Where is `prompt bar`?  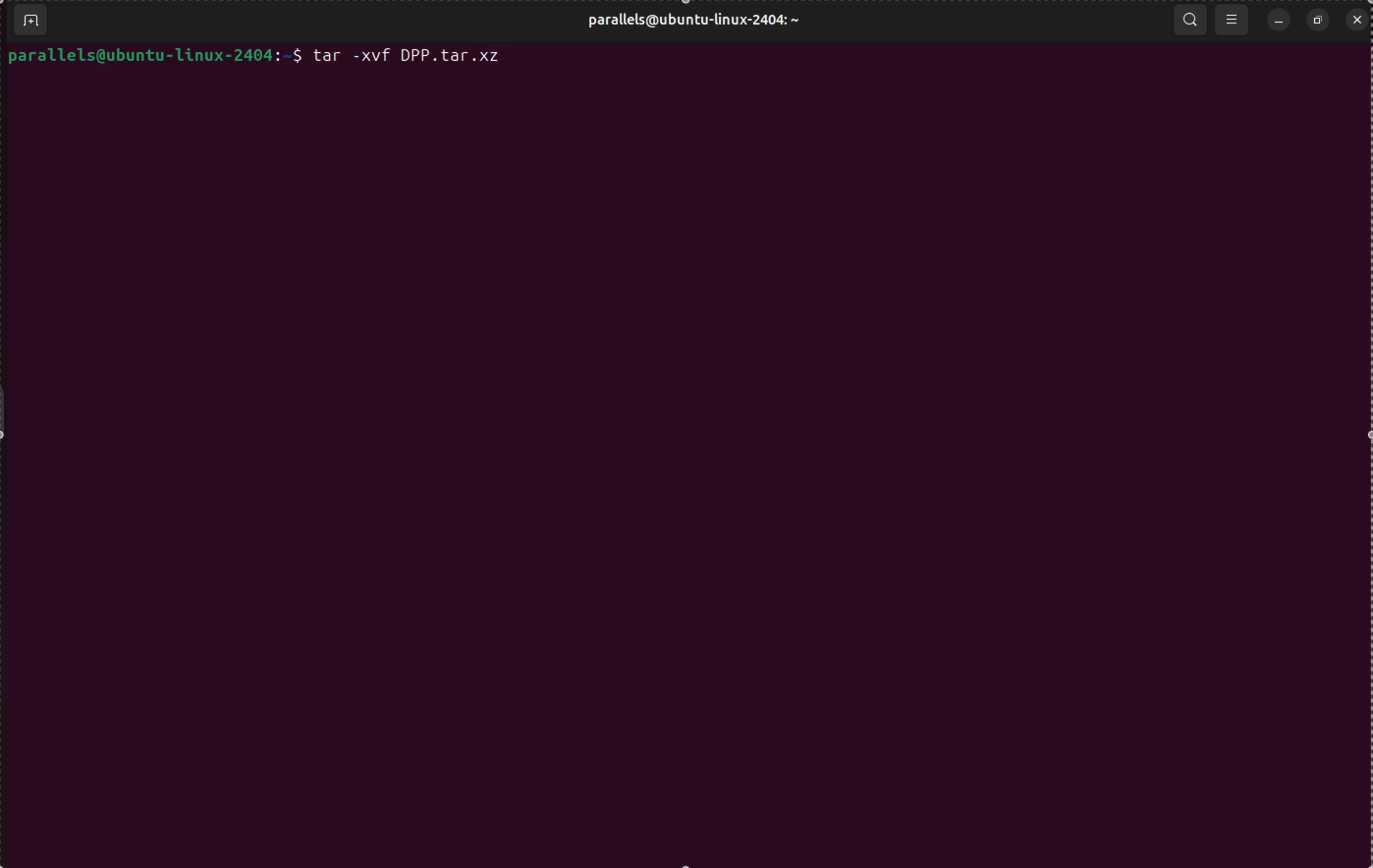 prompt bar is located at coordinates (156, 56).